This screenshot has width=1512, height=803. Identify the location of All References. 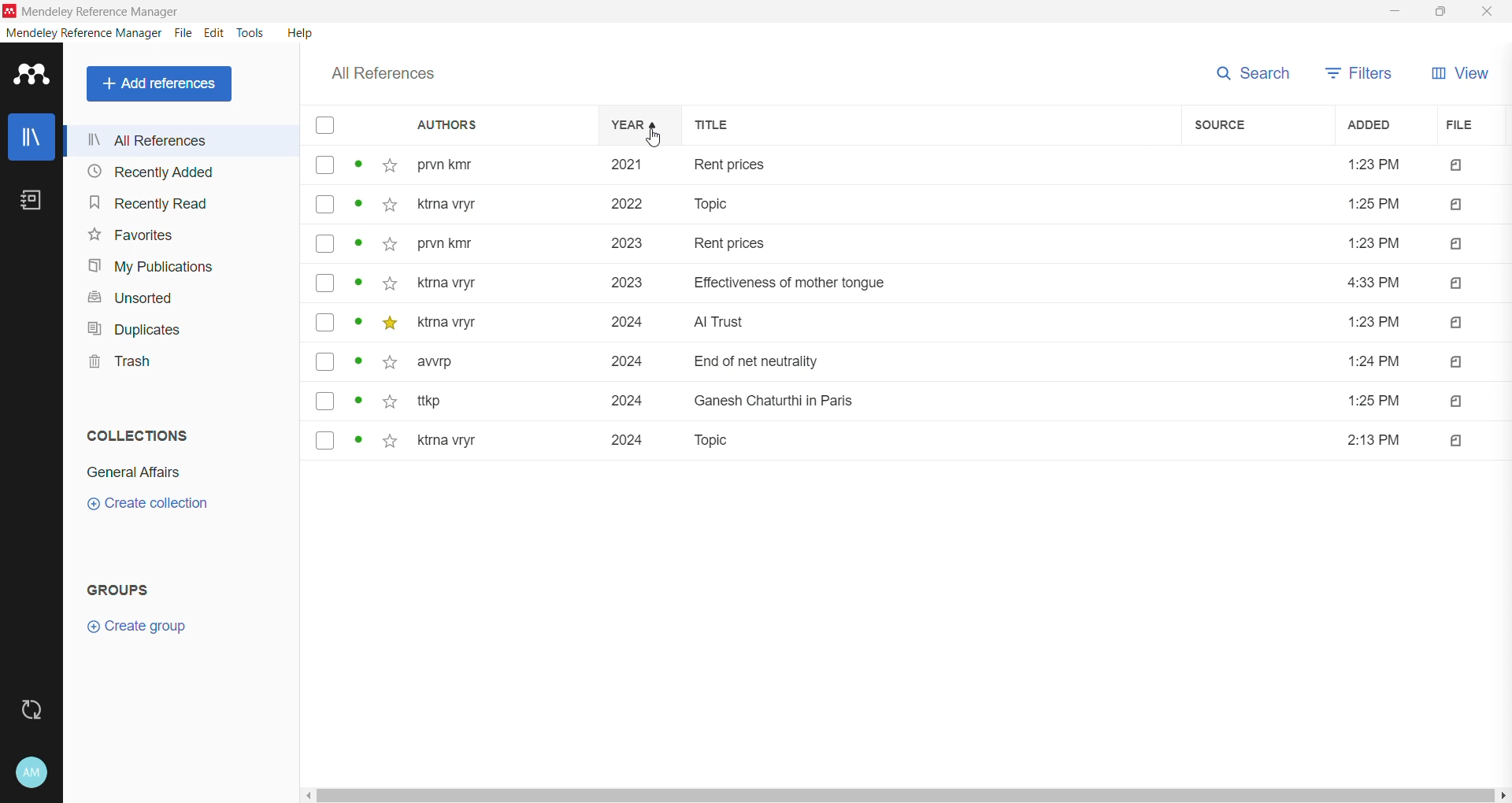
(382, 73).